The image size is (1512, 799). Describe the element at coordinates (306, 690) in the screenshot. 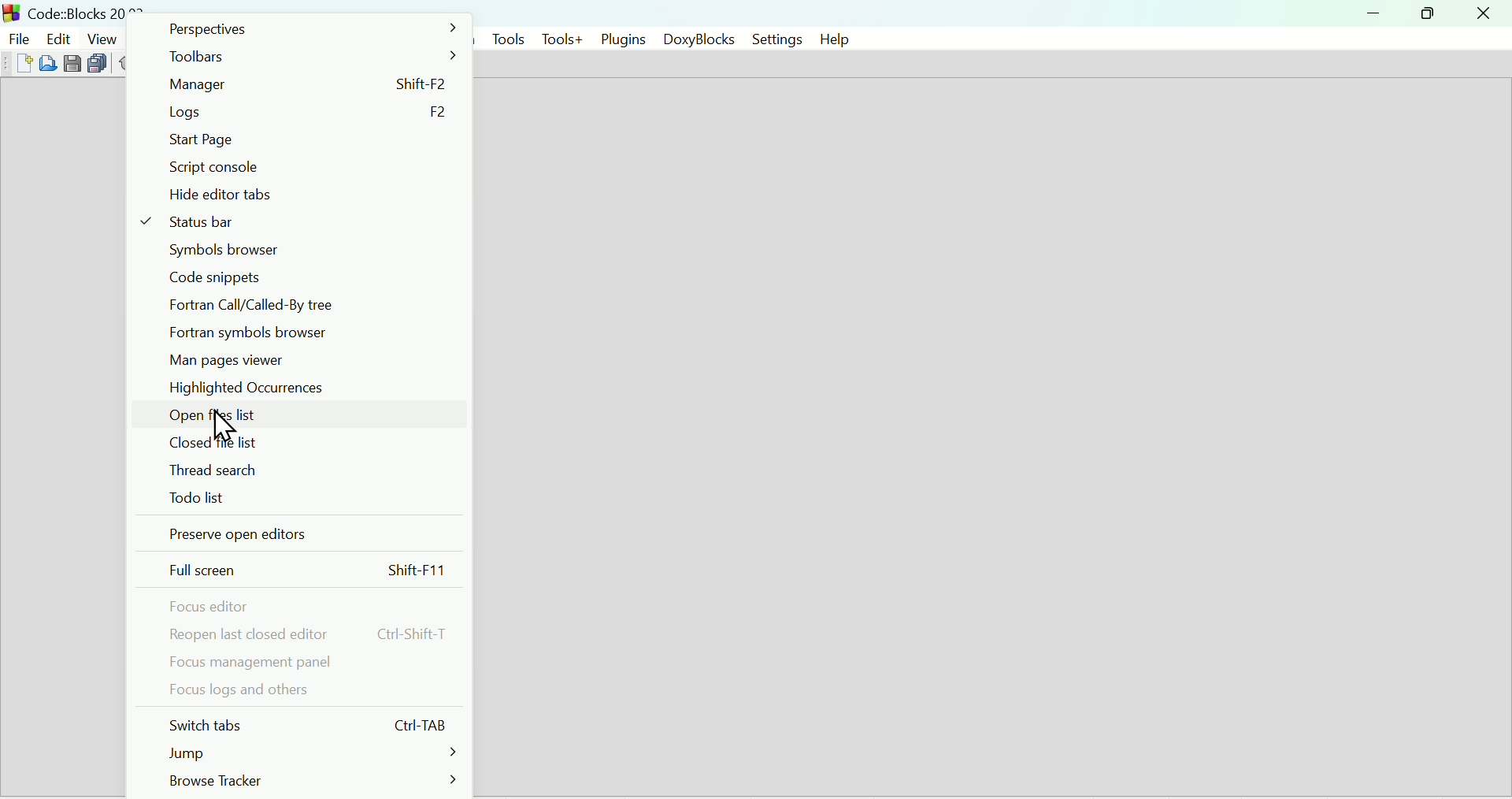

I see `Focus logs and others` at that location.